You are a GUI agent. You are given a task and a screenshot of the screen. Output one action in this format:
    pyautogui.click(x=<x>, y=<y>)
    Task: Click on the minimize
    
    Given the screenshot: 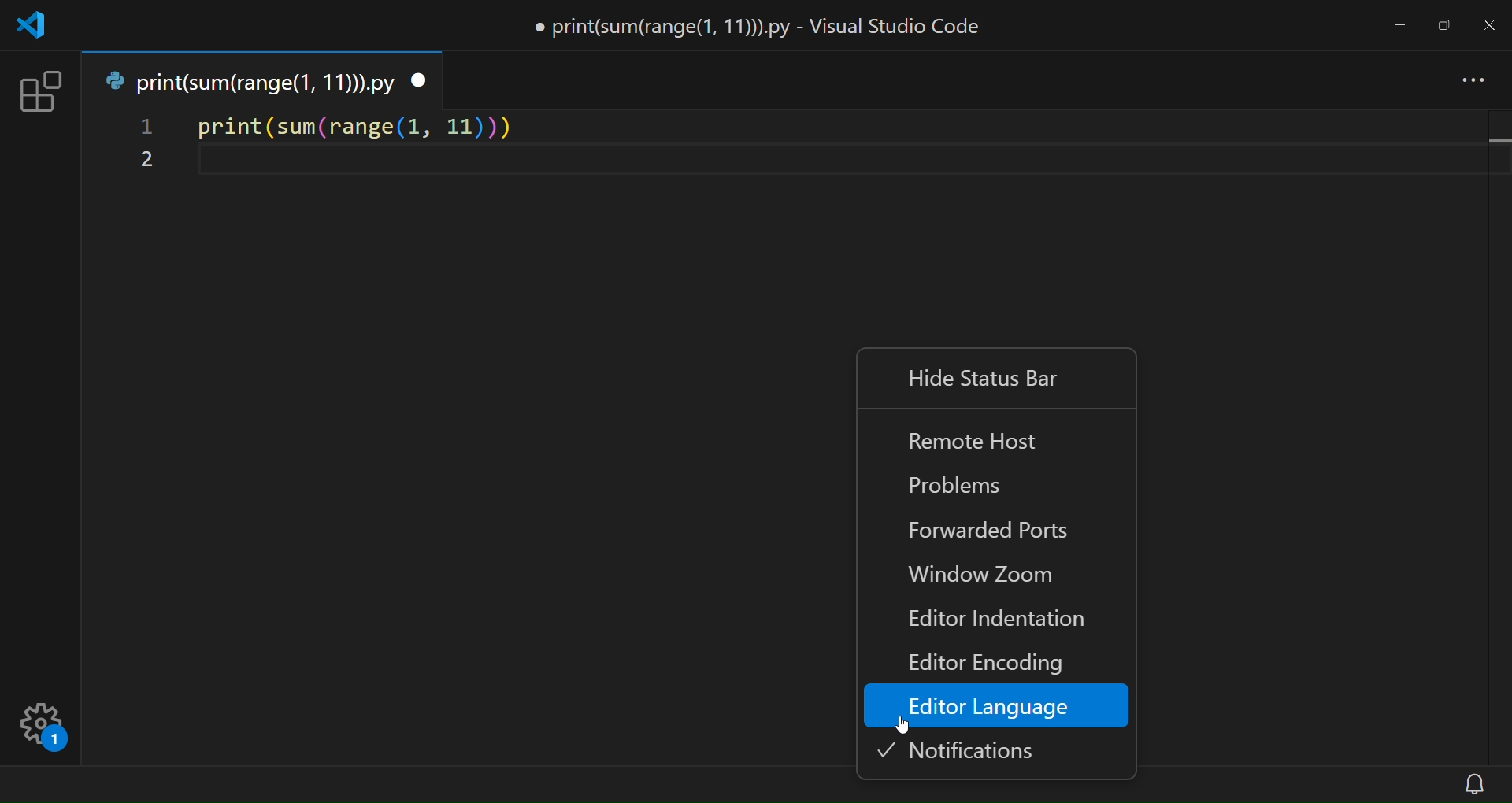 What is the action you would take?
    pyautogui.click(x=1403, y=24)
    